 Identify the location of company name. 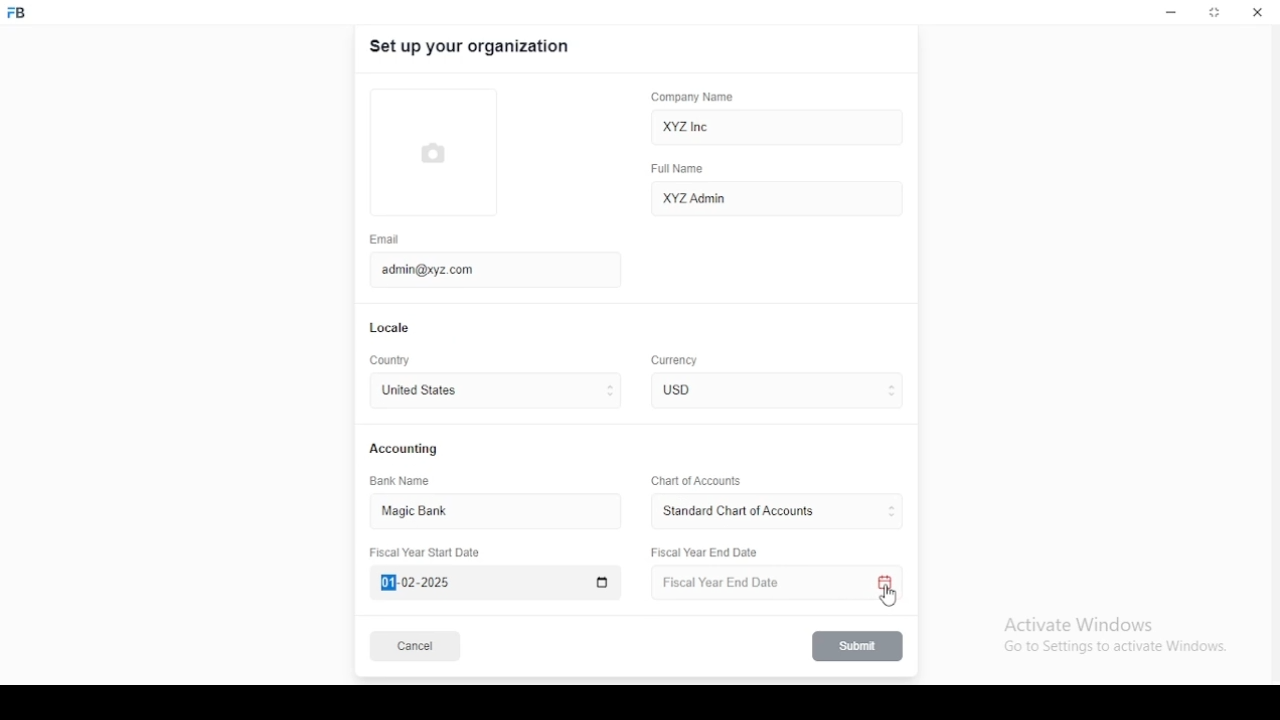
(692, 97).